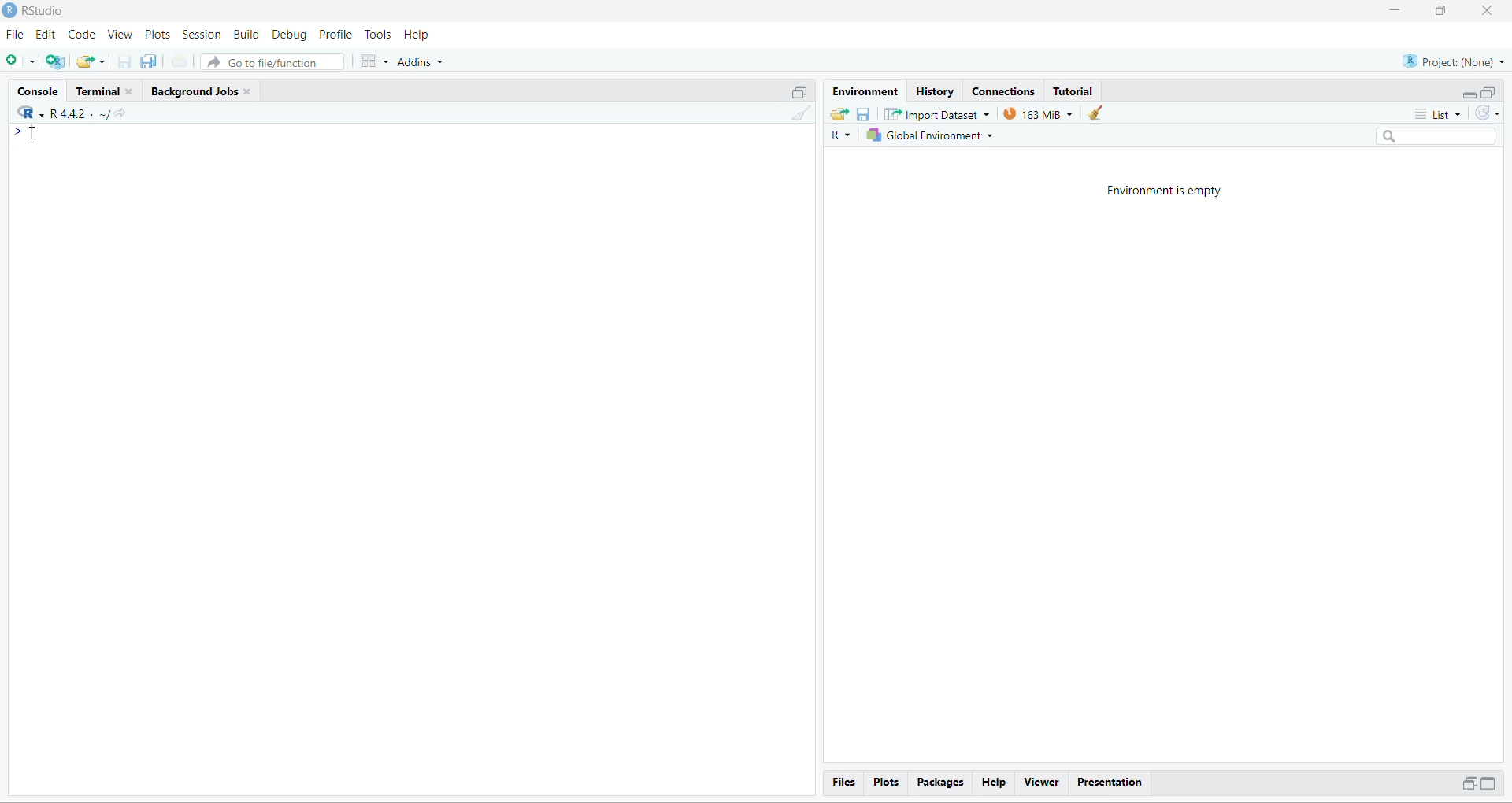  I want to click on Session, so click(202, 35).